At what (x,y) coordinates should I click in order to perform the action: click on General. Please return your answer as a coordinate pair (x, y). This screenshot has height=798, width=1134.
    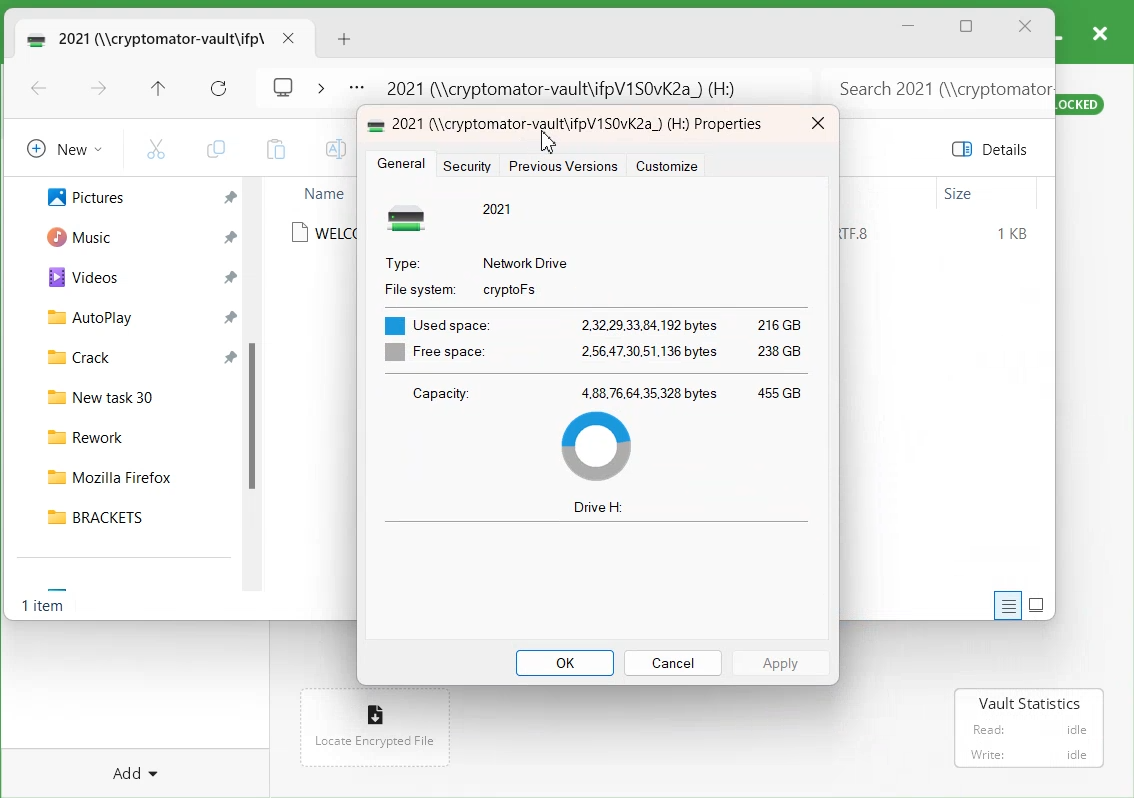
    Looking at the image, I should click on (401, 165).